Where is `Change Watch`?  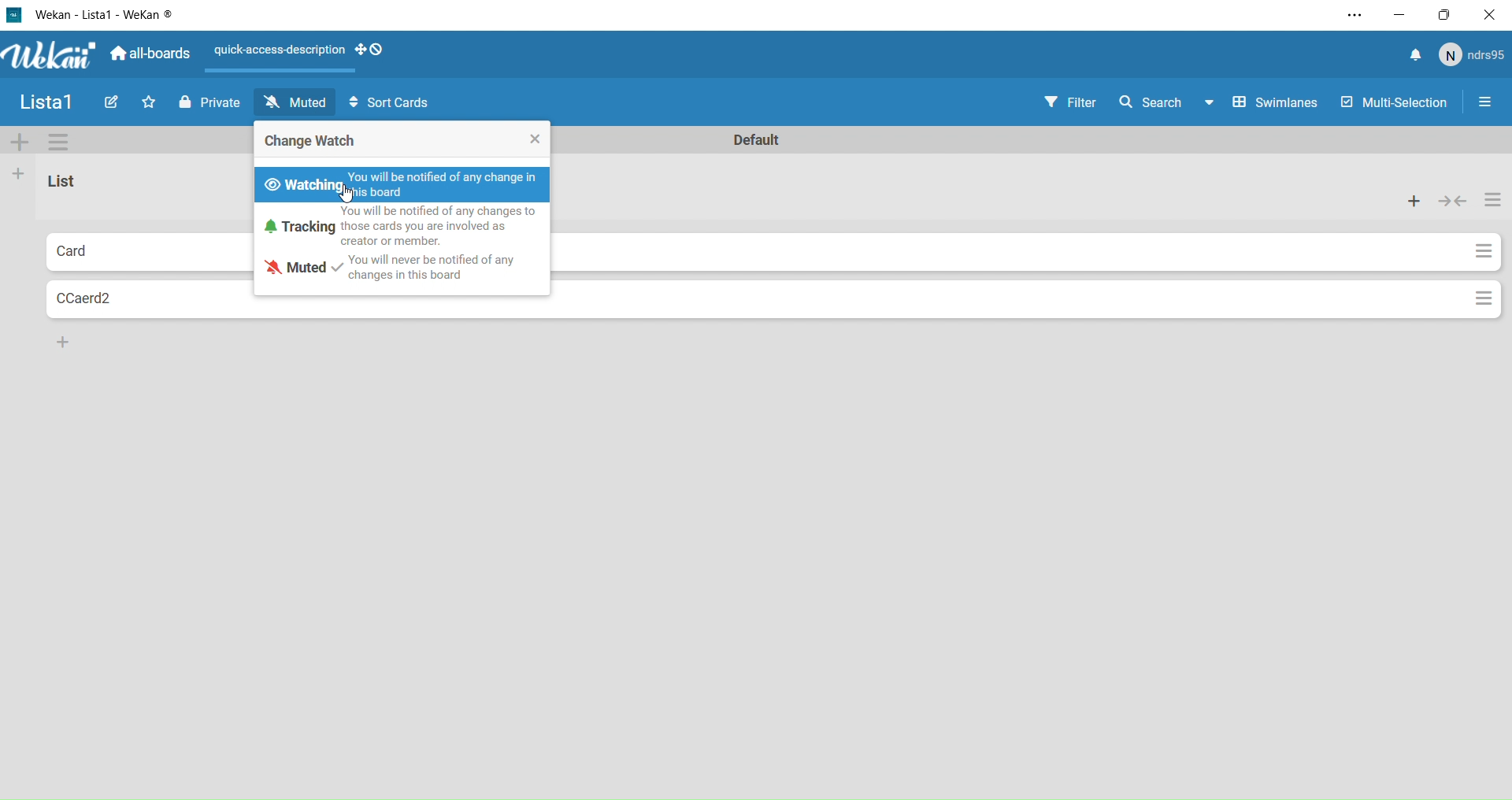
Change Watch is located at coordinates (403, 140).